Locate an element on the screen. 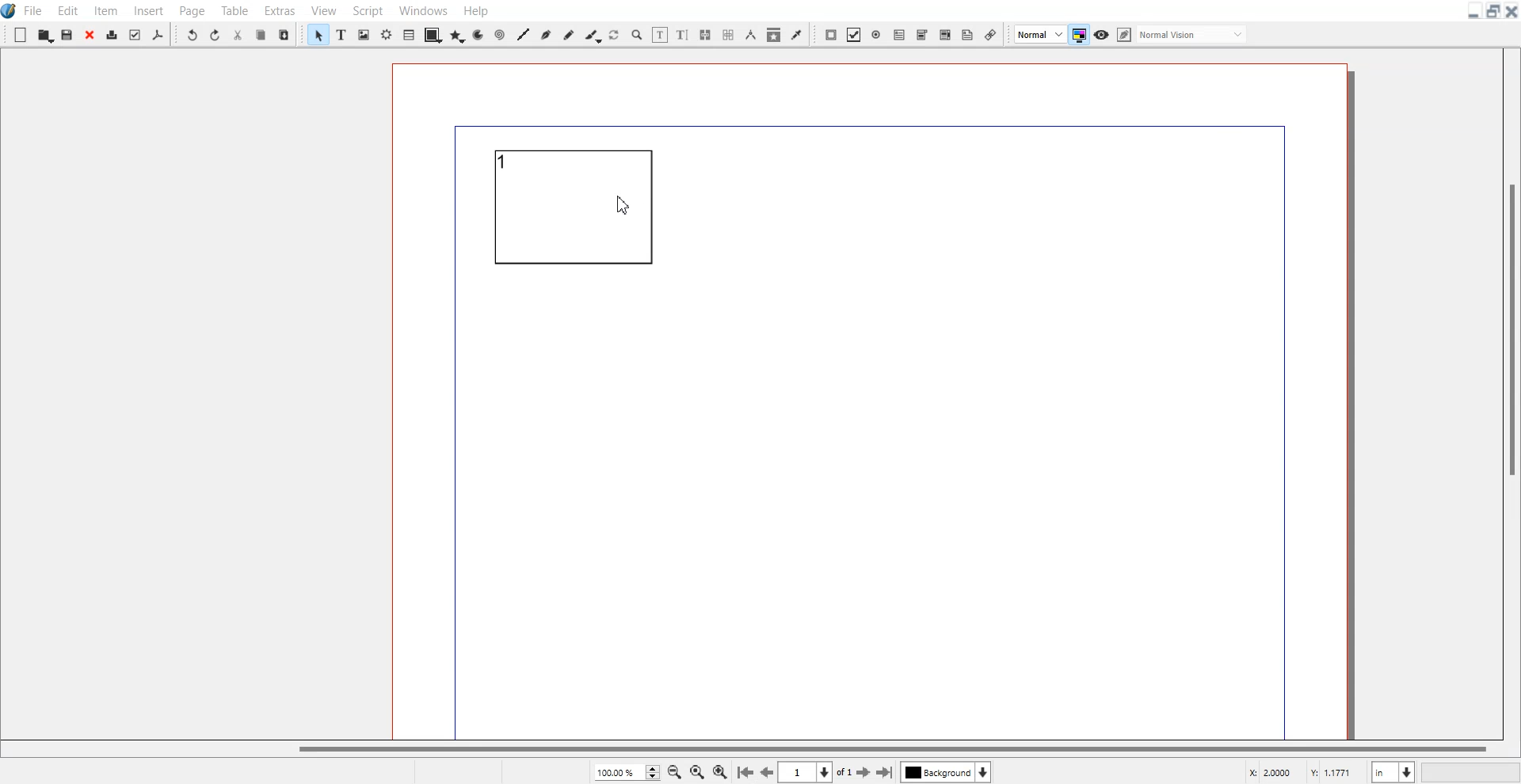 The width and height of the screenshot is (1521, 784). Redo is located at coordinates (215, 33).